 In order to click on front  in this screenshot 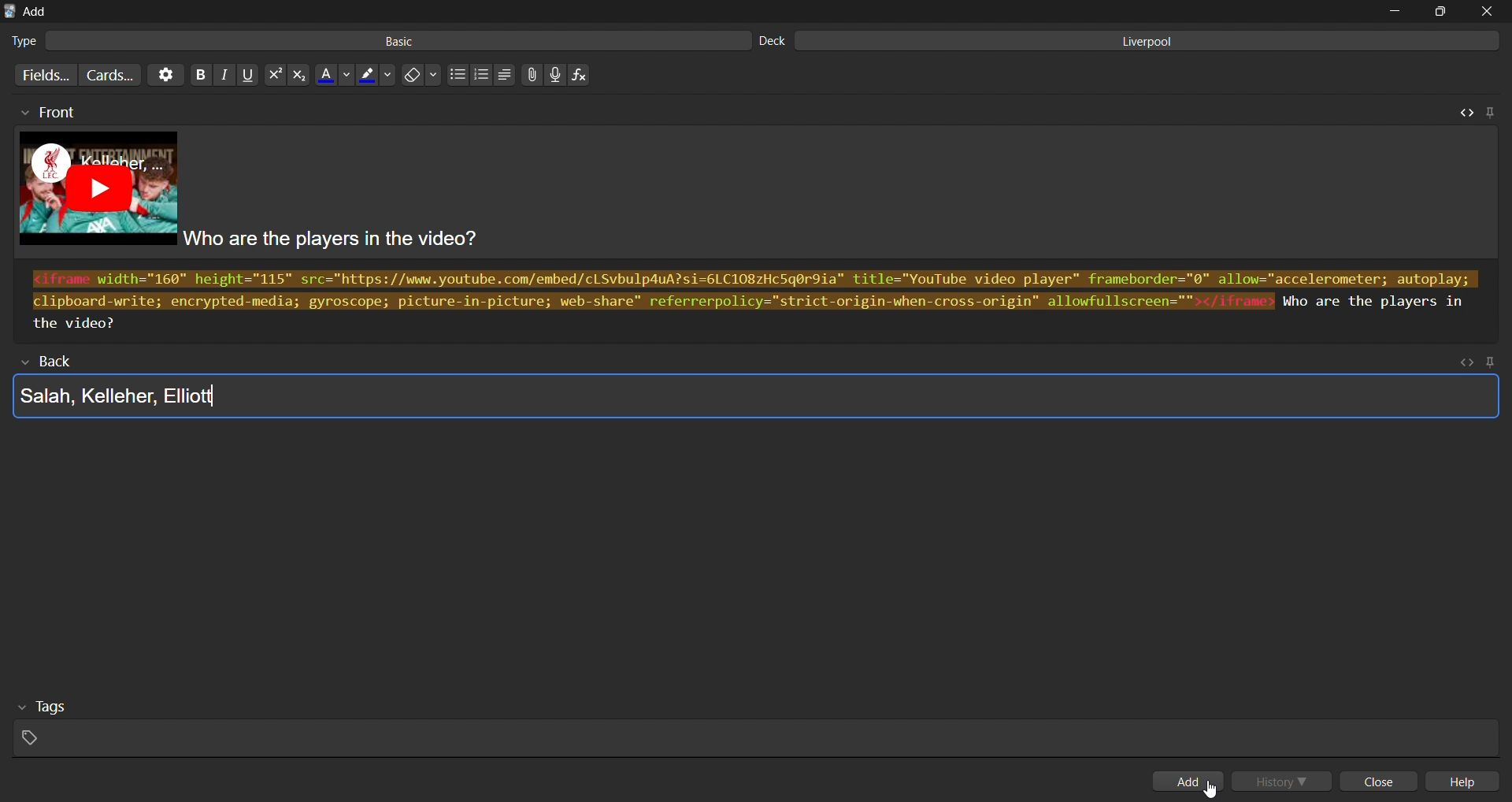, I will do `click(46, 113)`.